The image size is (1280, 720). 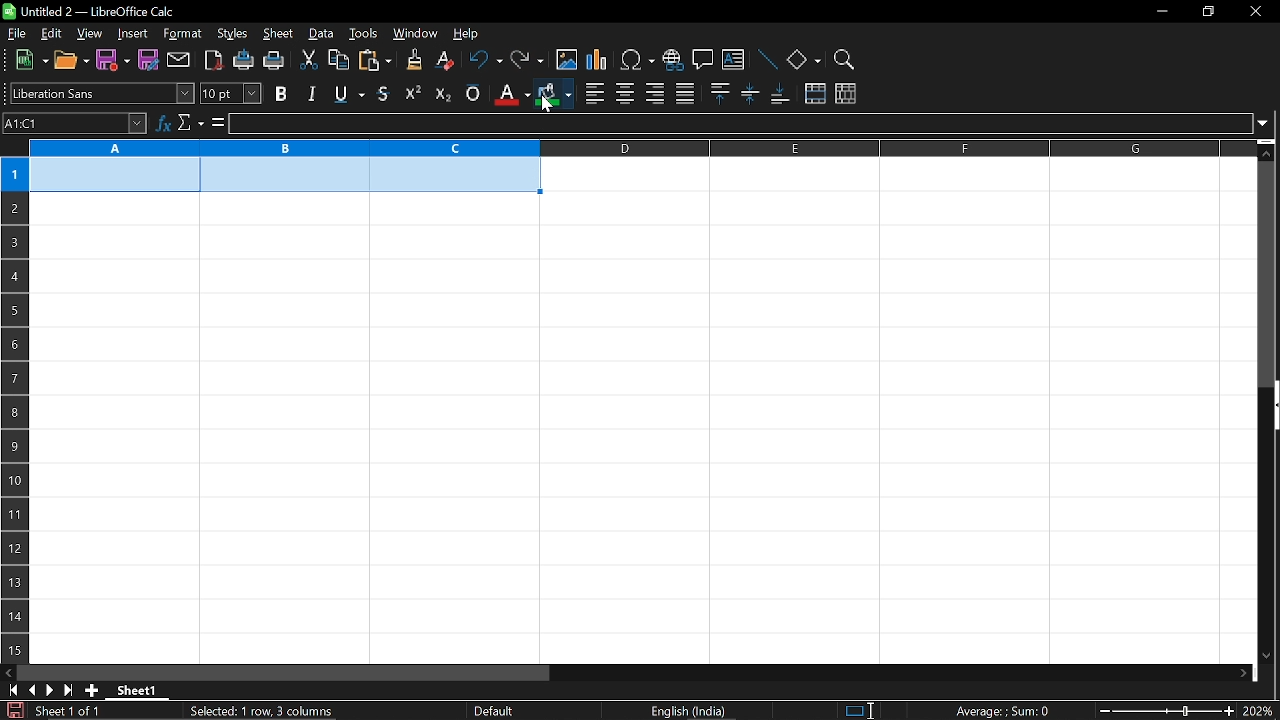 What do you see at coordinates (474, 32) in the screenshot?
I see `help` at bounding box center [474, 32].